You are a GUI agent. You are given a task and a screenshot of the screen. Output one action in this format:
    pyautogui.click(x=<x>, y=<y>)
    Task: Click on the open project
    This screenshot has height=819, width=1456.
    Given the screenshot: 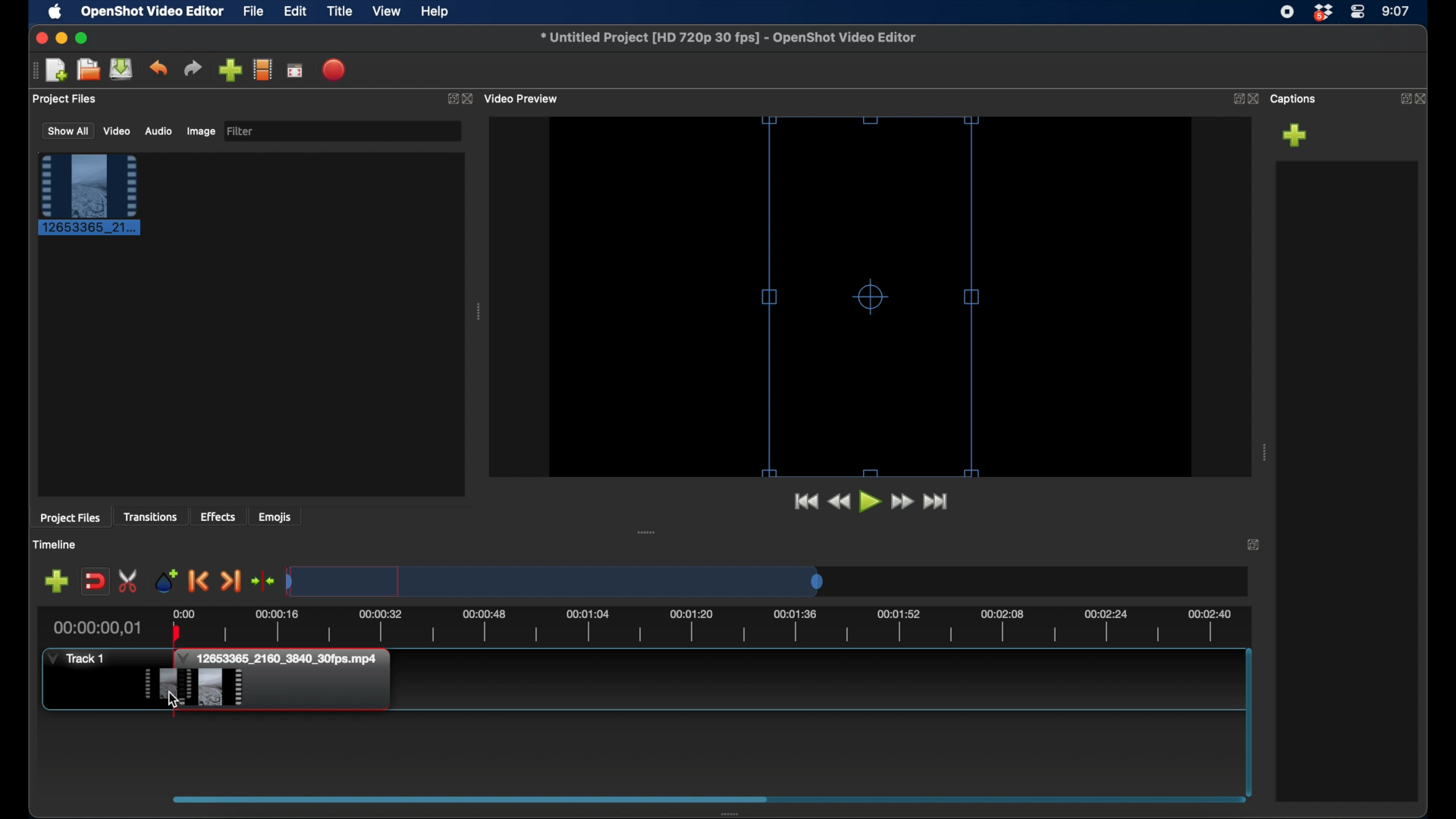 What is the action you would take?
    pyautogui.click(x=86, y=70)
    